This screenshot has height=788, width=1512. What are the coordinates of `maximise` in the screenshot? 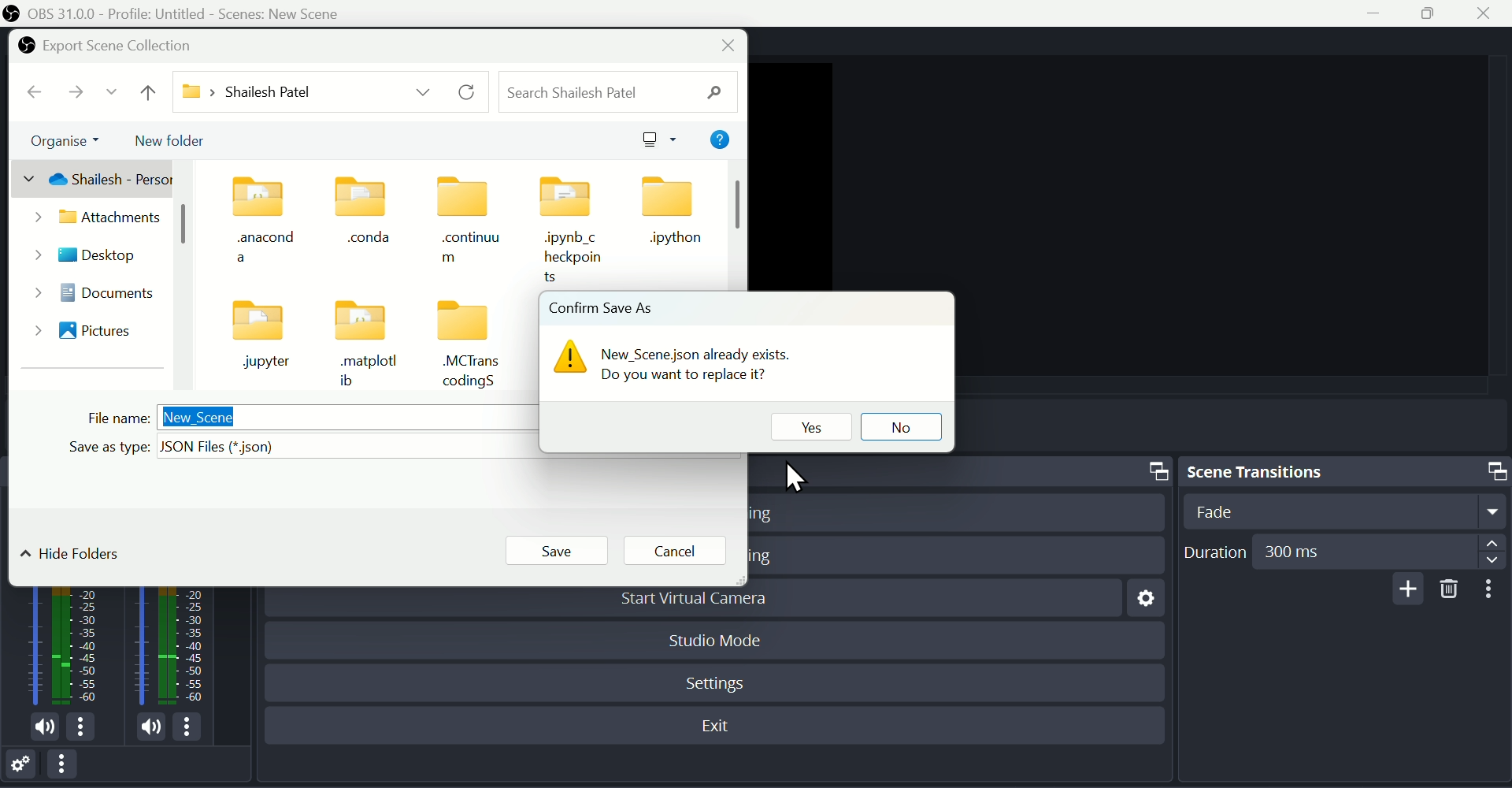 It's located at (1435, 14).